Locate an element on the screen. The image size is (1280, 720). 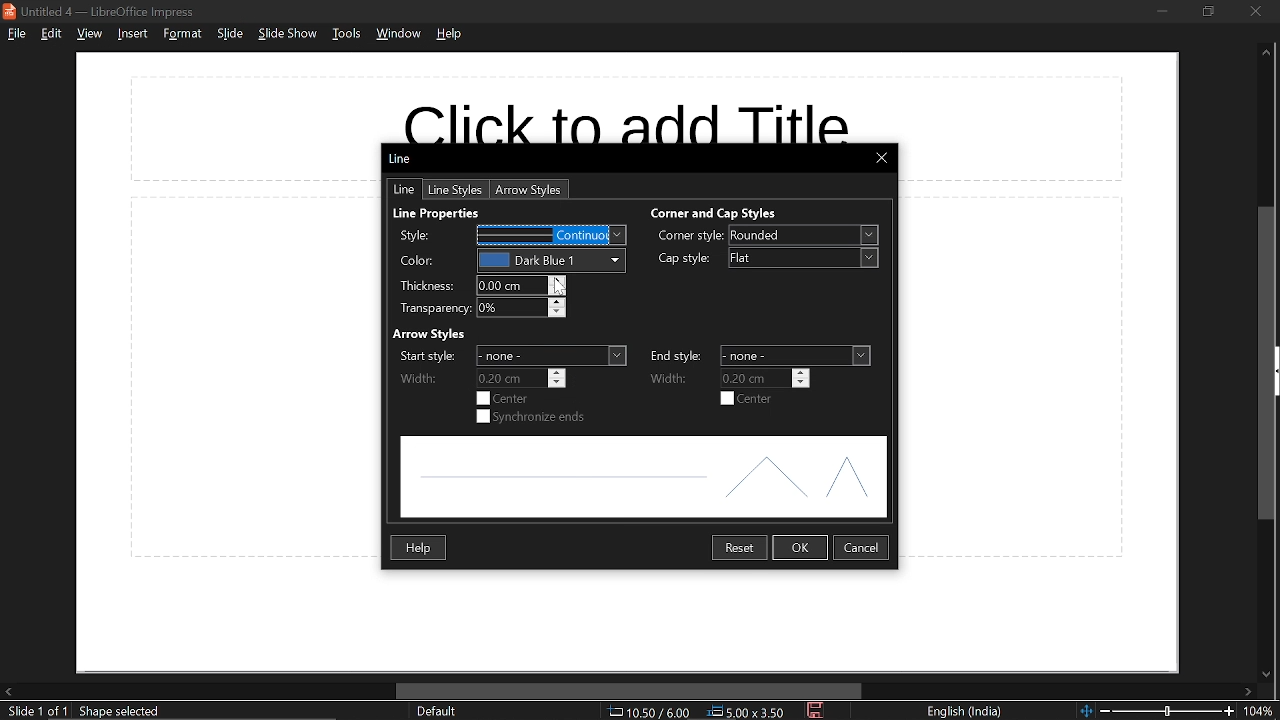
save is located at coordinates (815, 710).